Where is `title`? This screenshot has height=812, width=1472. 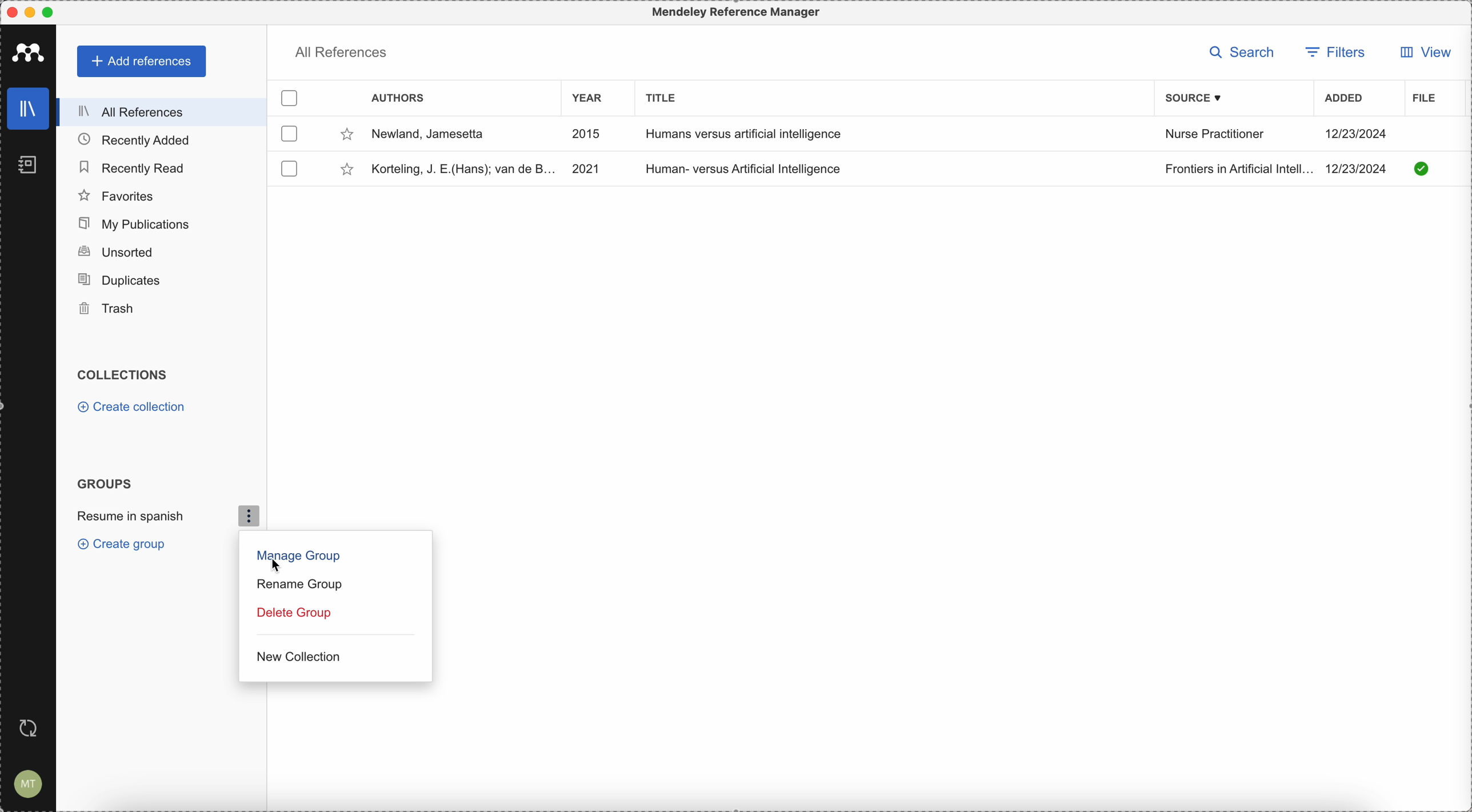 title is located at coordinates (662, 97).